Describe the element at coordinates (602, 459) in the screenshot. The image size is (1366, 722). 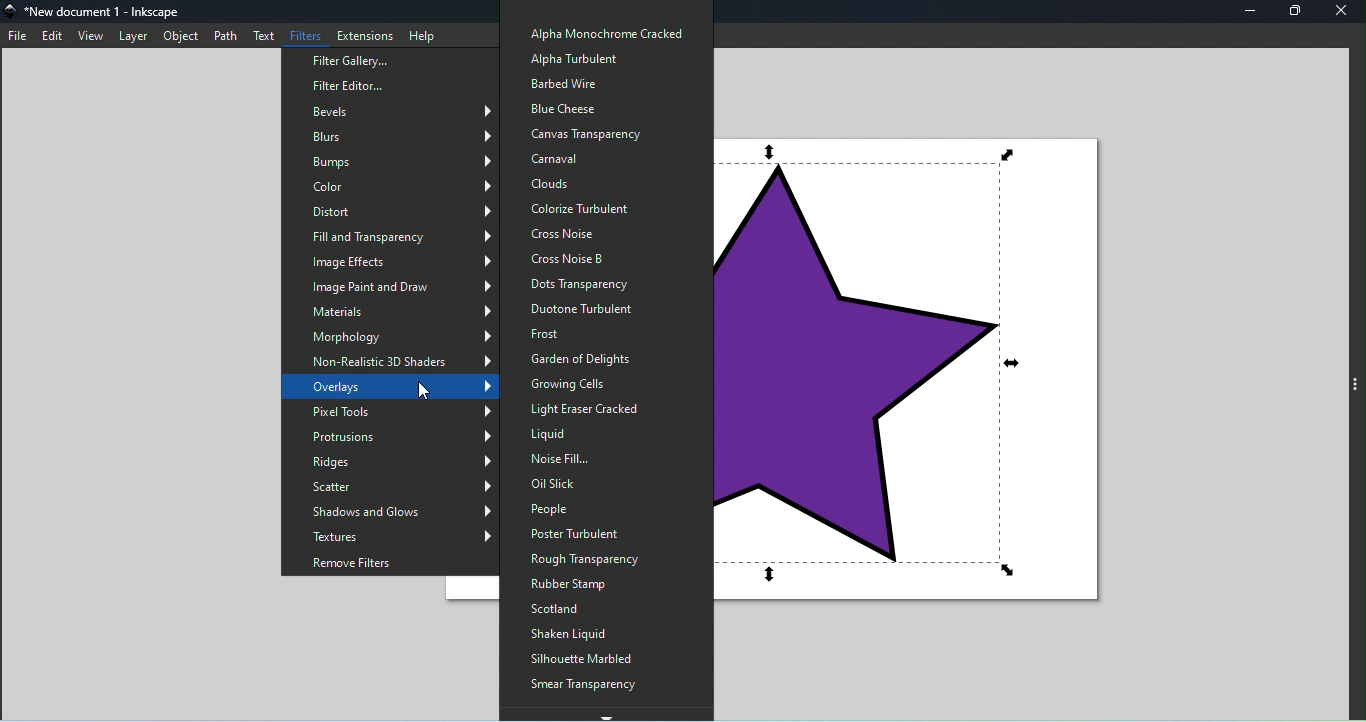
I see `Noise fill` at that location.